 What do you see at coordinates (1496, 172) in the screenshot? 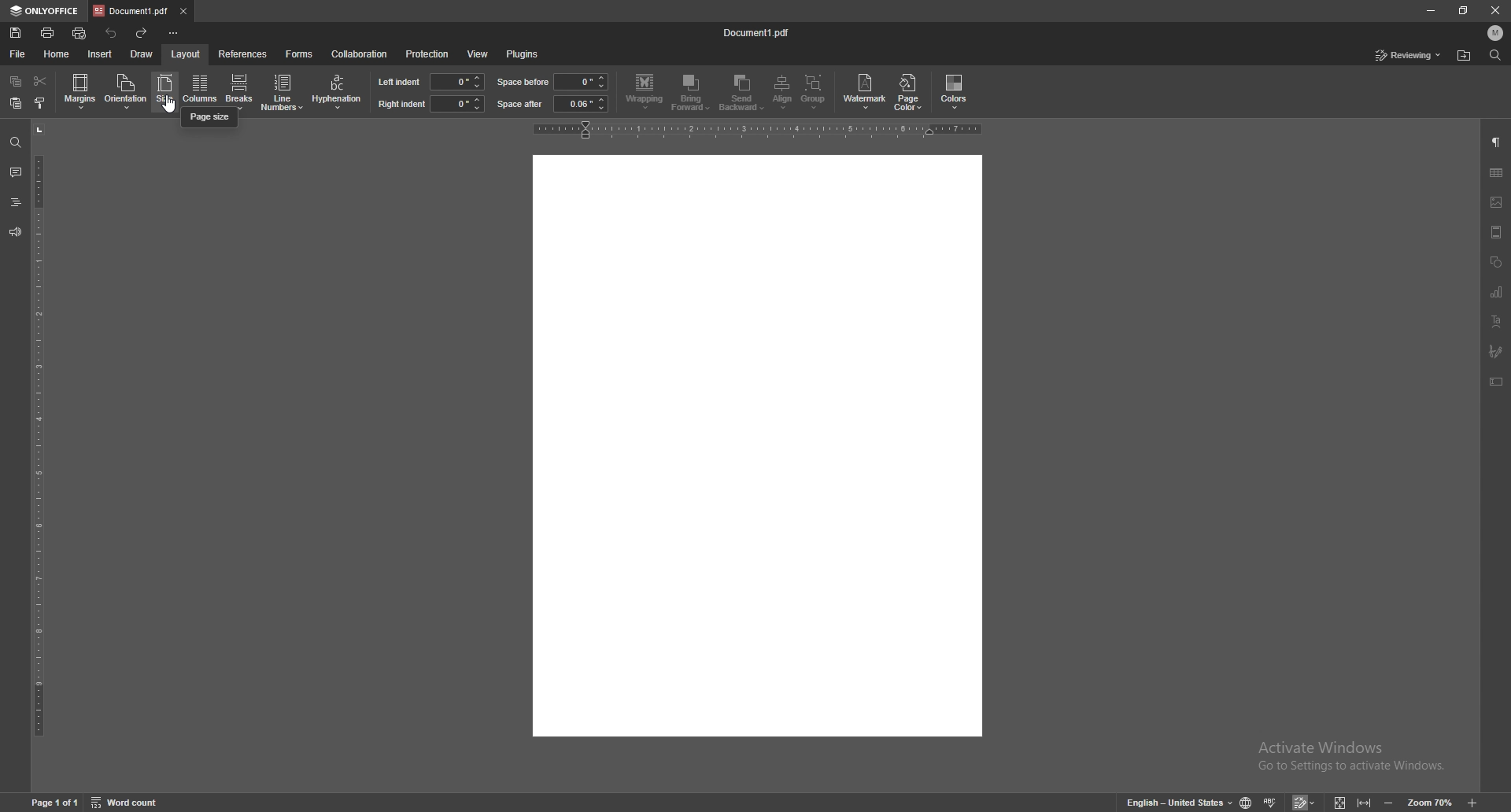
I see `table` at bounding box center [1496, 172].